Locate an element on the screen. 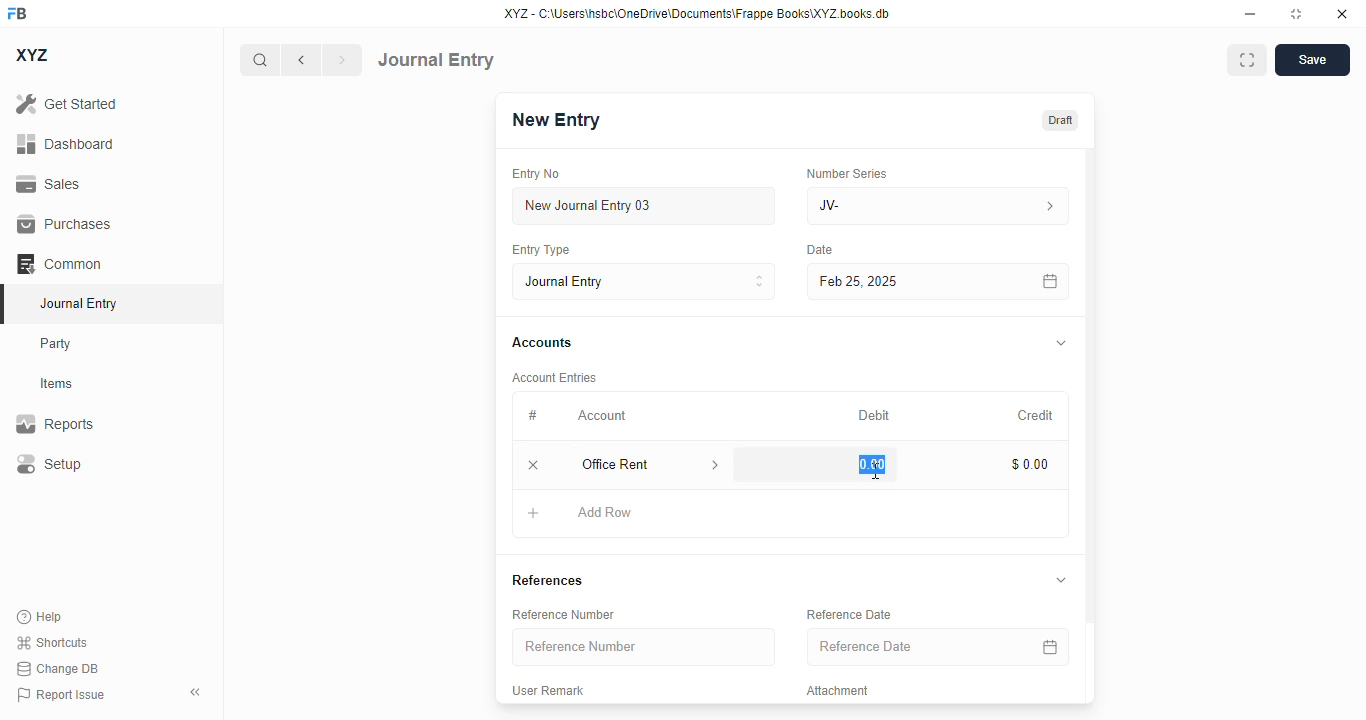  dashboard is located at coordinates (66, 144).